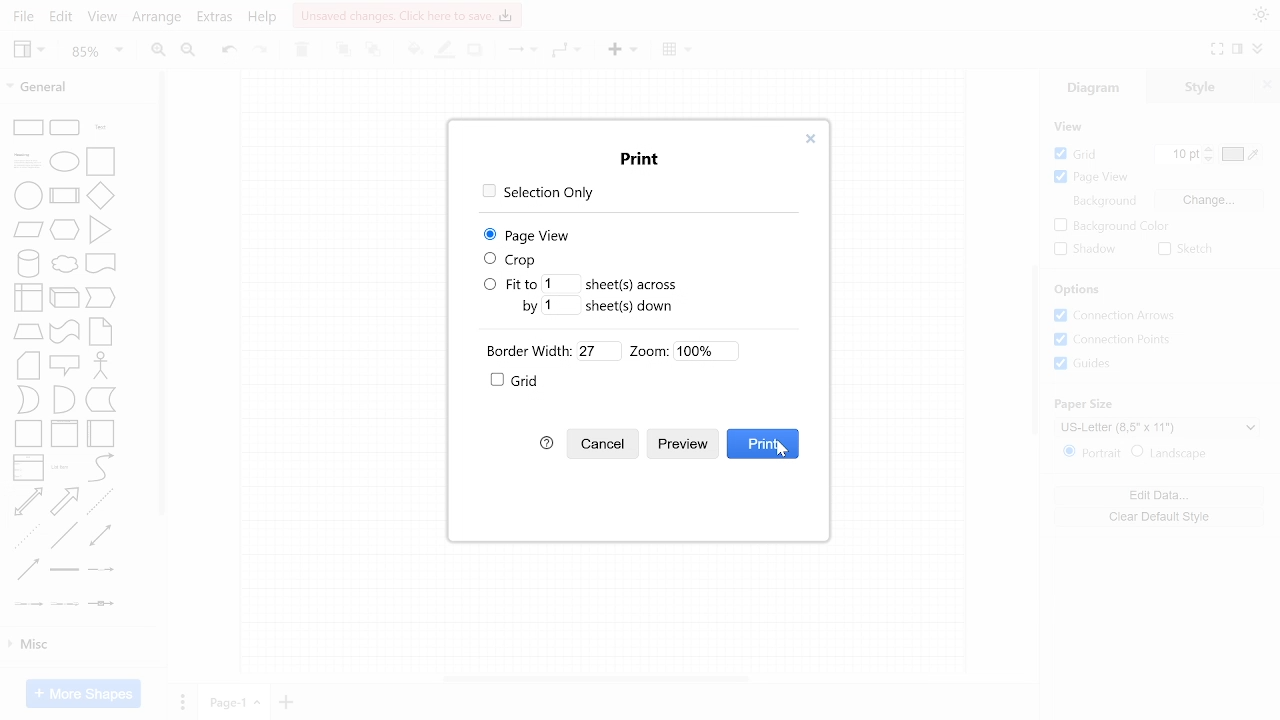 This screenshot has height=720, width=1280. Describe the element at coordinates (81, 645) in the screenshot. I see `Misc` at that location.